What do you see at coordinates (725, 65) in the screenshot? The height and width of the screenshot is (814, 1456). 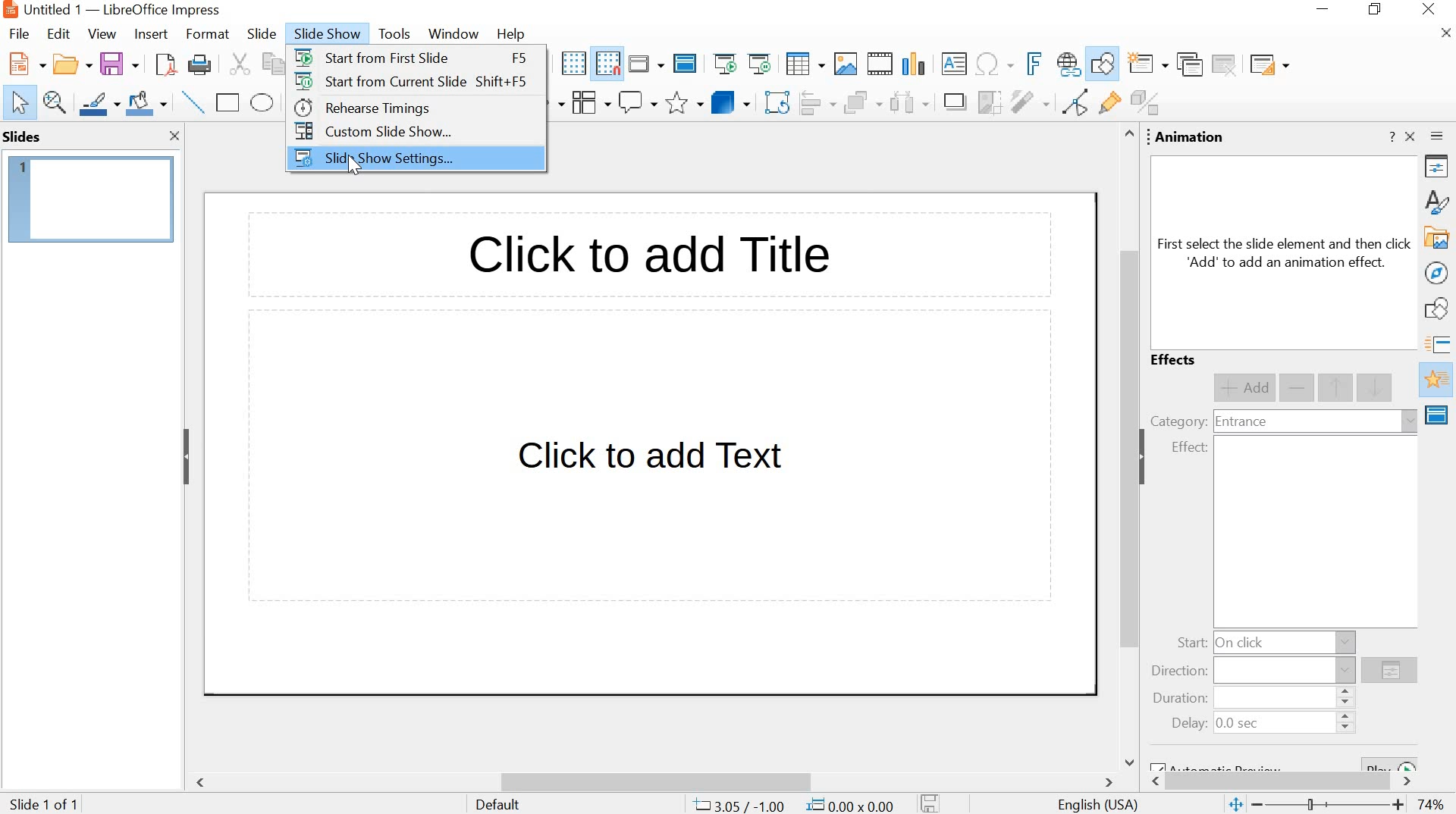 I see `slideshow from start slide` at bounding box center [725, 65].